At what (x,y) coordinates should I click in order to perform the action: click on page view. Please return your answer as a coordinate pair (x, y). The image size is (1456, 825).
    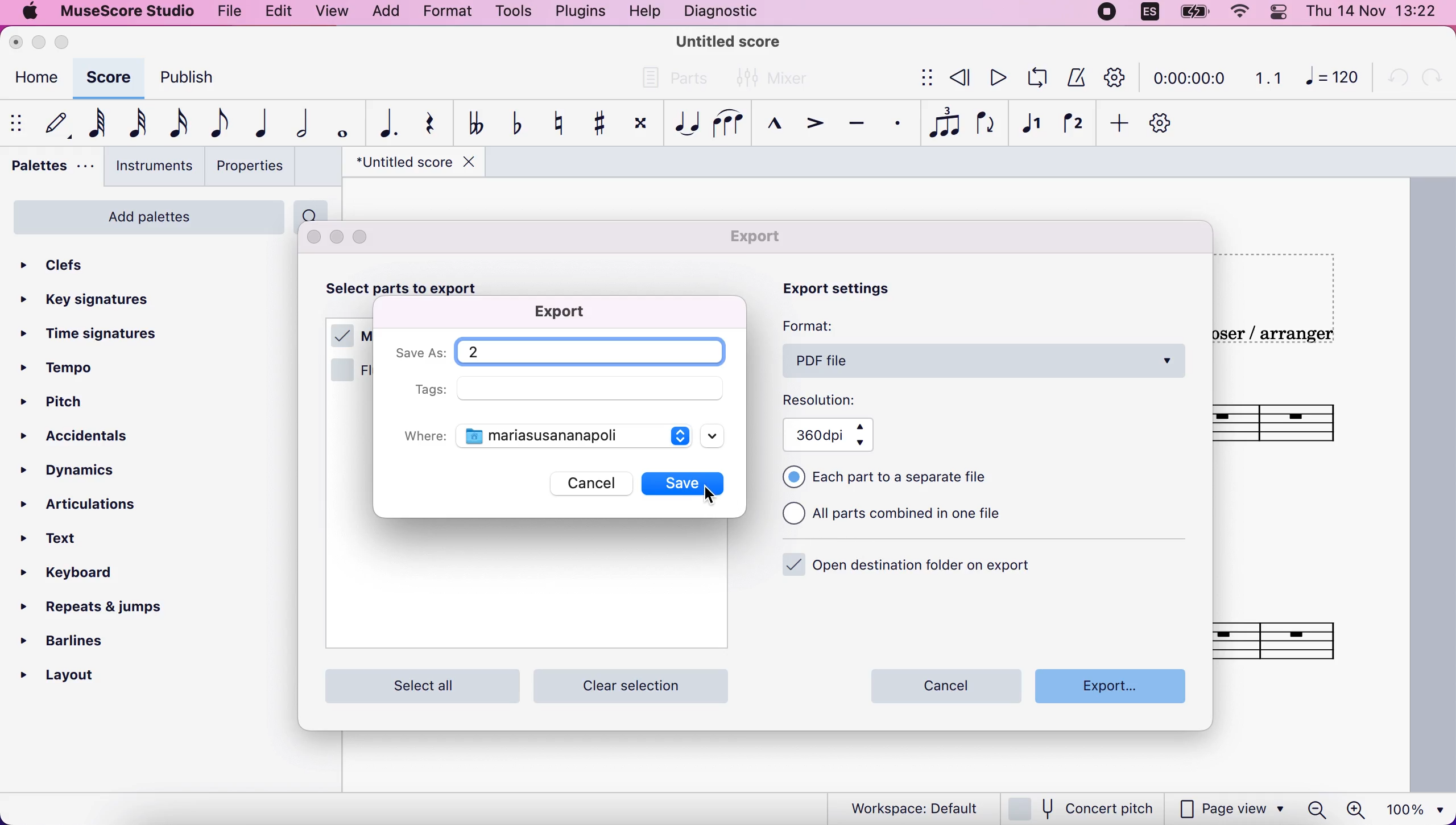
    Looking at the image, I should click on (1232, 810).